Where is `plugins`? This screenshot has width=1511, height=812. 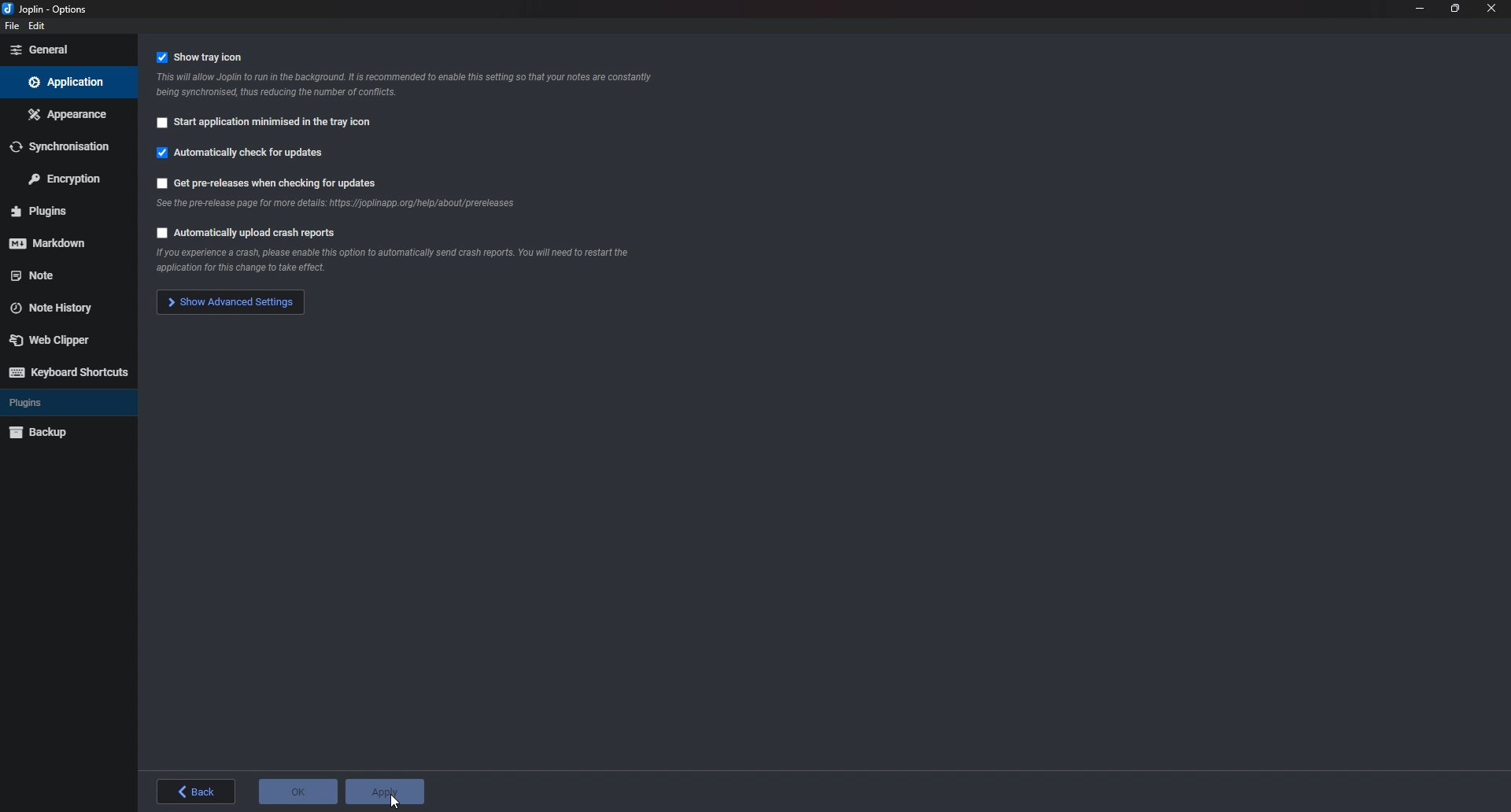 plugins is located at coordinates (61, 210).